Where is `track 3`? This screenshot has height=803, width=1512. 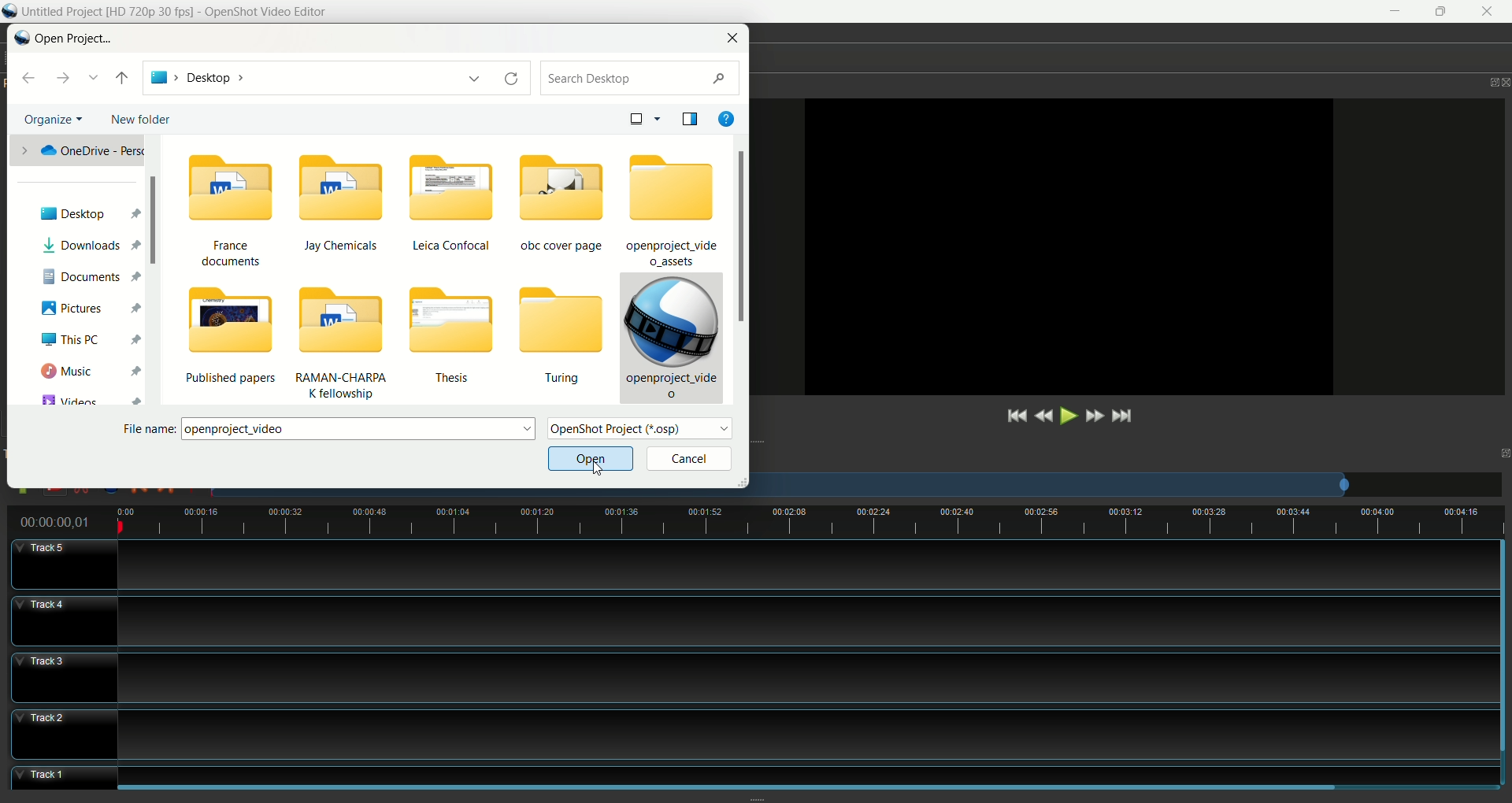 track 3 is located at coordinates (735, 677).